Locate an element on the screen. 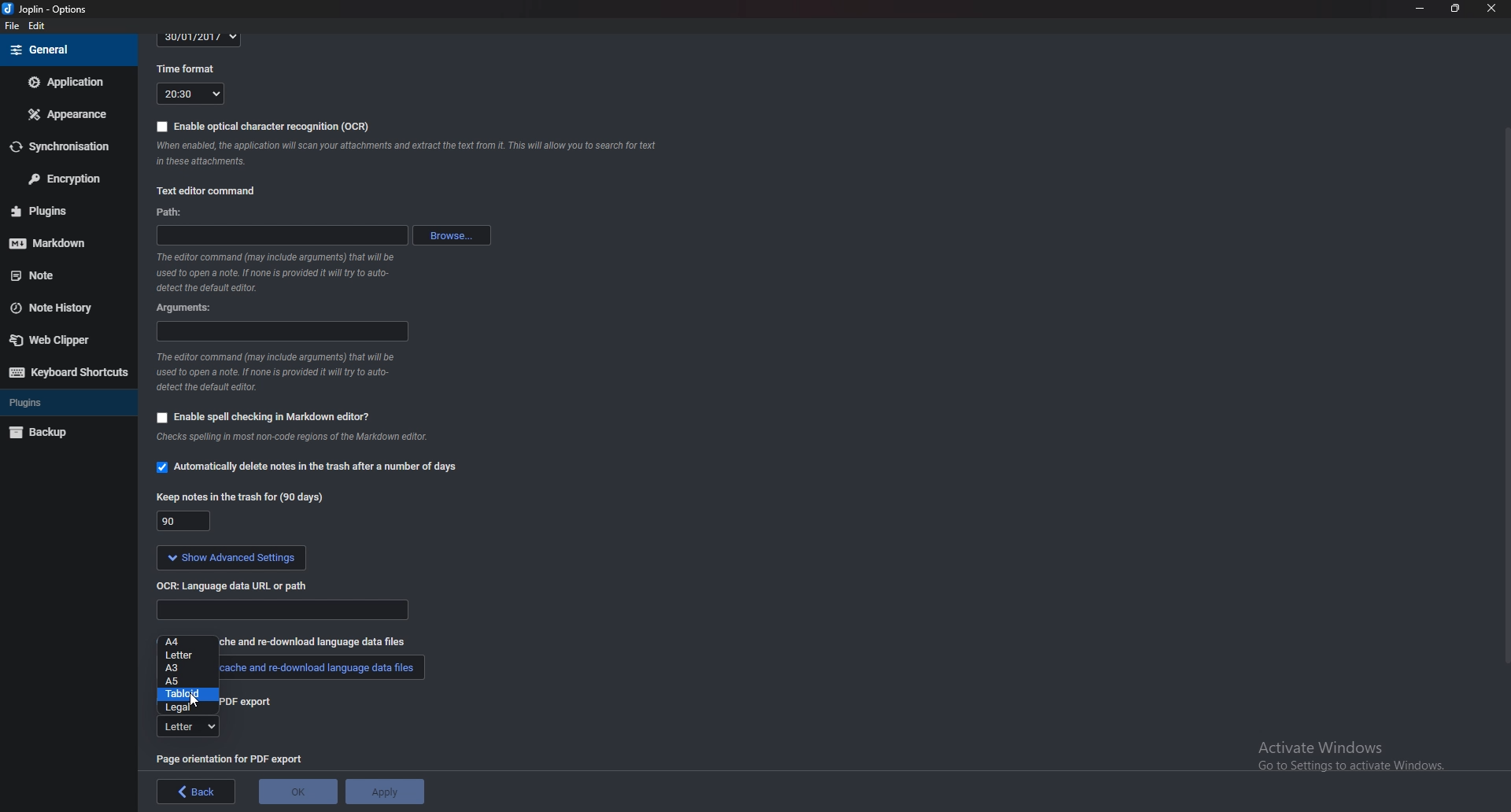 The height and width of the screenshot is (812, 1511). Markdown is located at coordinates (59, 242).